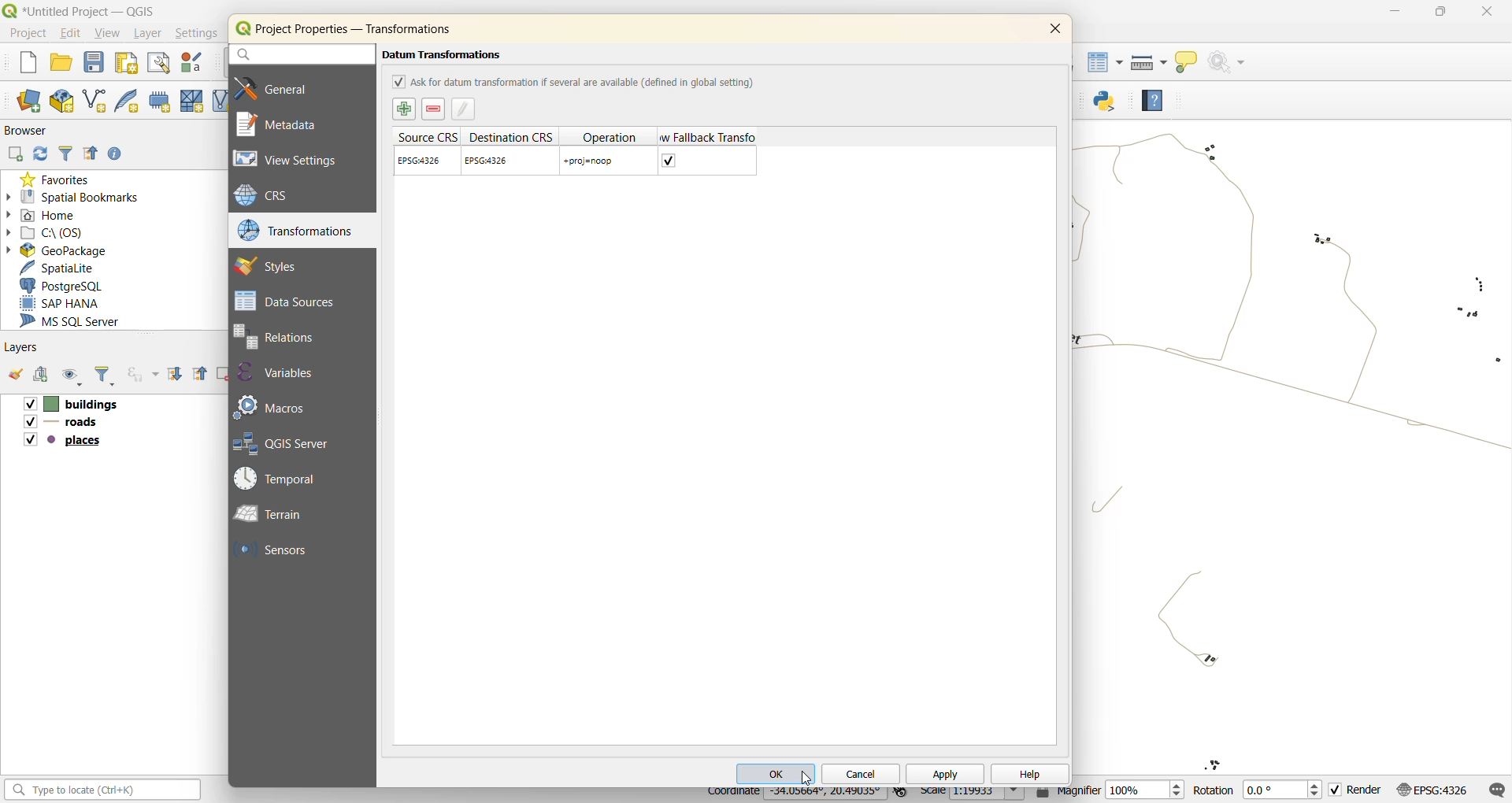  What do you see at coordinates (1106, 67) in the screenshot?
I see `attributes table` at bounding box center [1106, 67].